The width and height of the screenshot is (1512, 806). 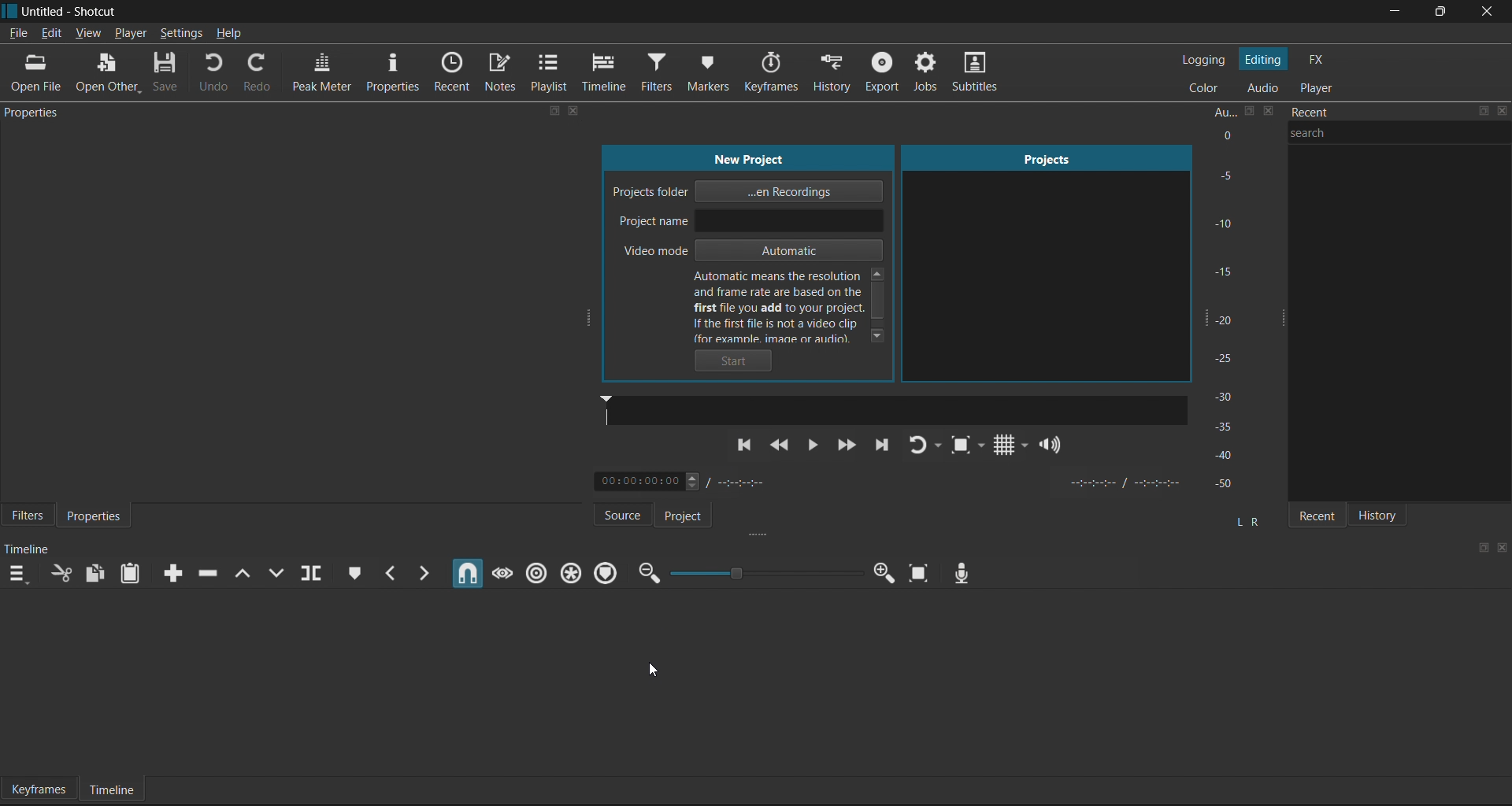 What do you see at coordinates (718, 69) in the screenshot?
I see `Markers` at bounding box center [718, 69].